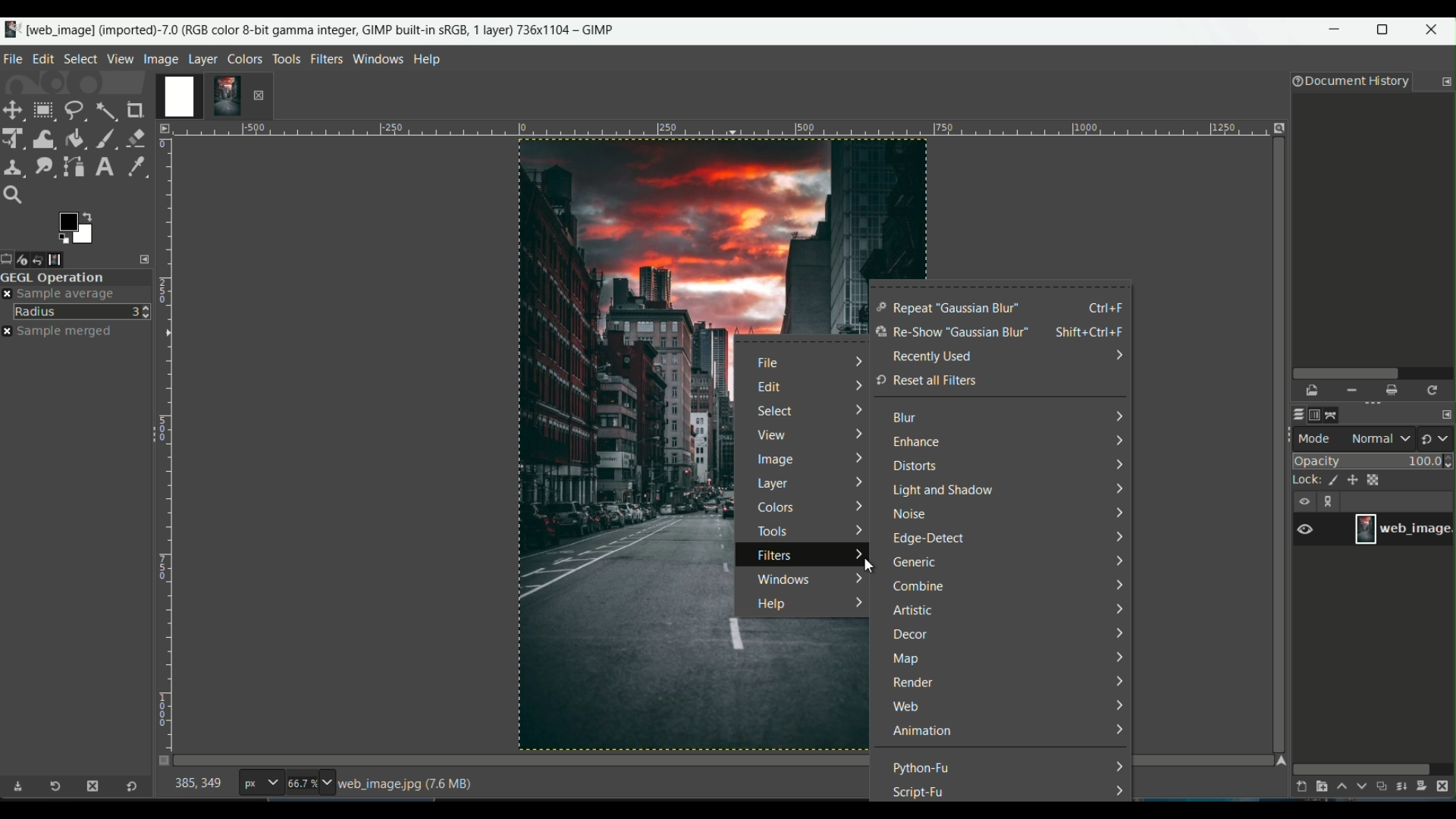  I want to click on change mode, so click(1437, 438).